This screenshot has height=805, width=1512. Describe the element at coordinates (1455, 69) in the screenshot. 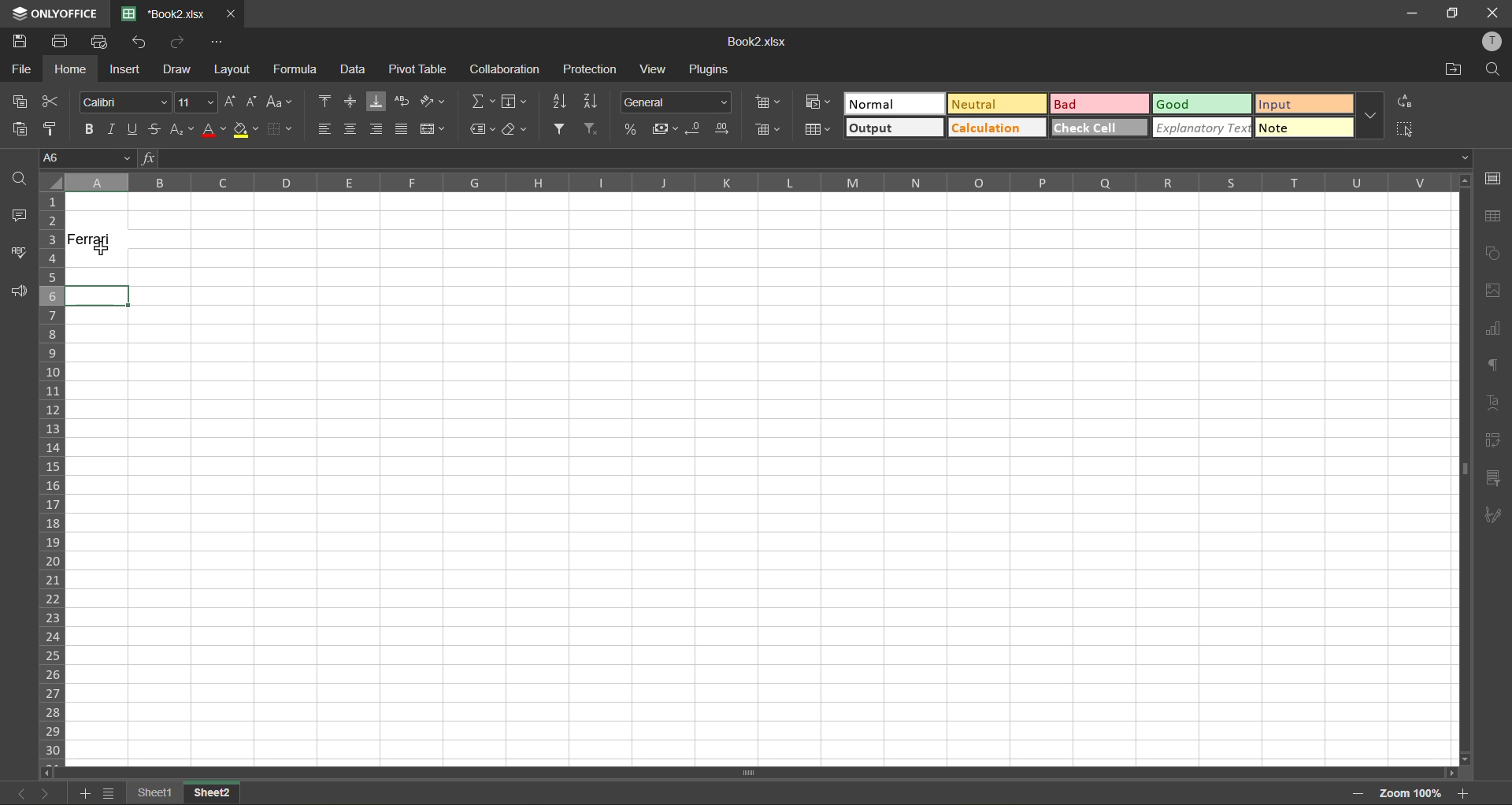

I see `open location` at that location.